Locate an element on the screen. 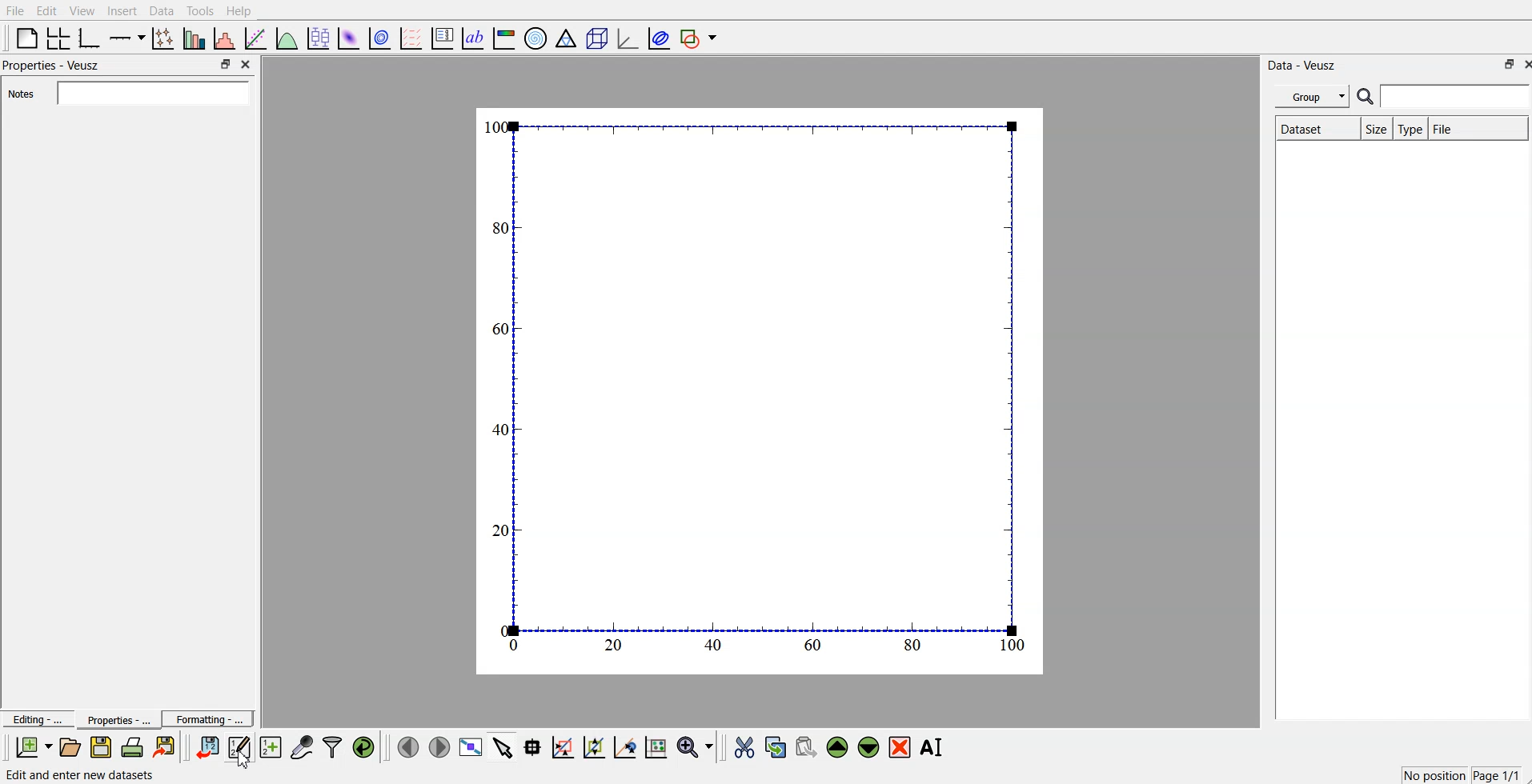  Editing is located at coordinates (36, 718).